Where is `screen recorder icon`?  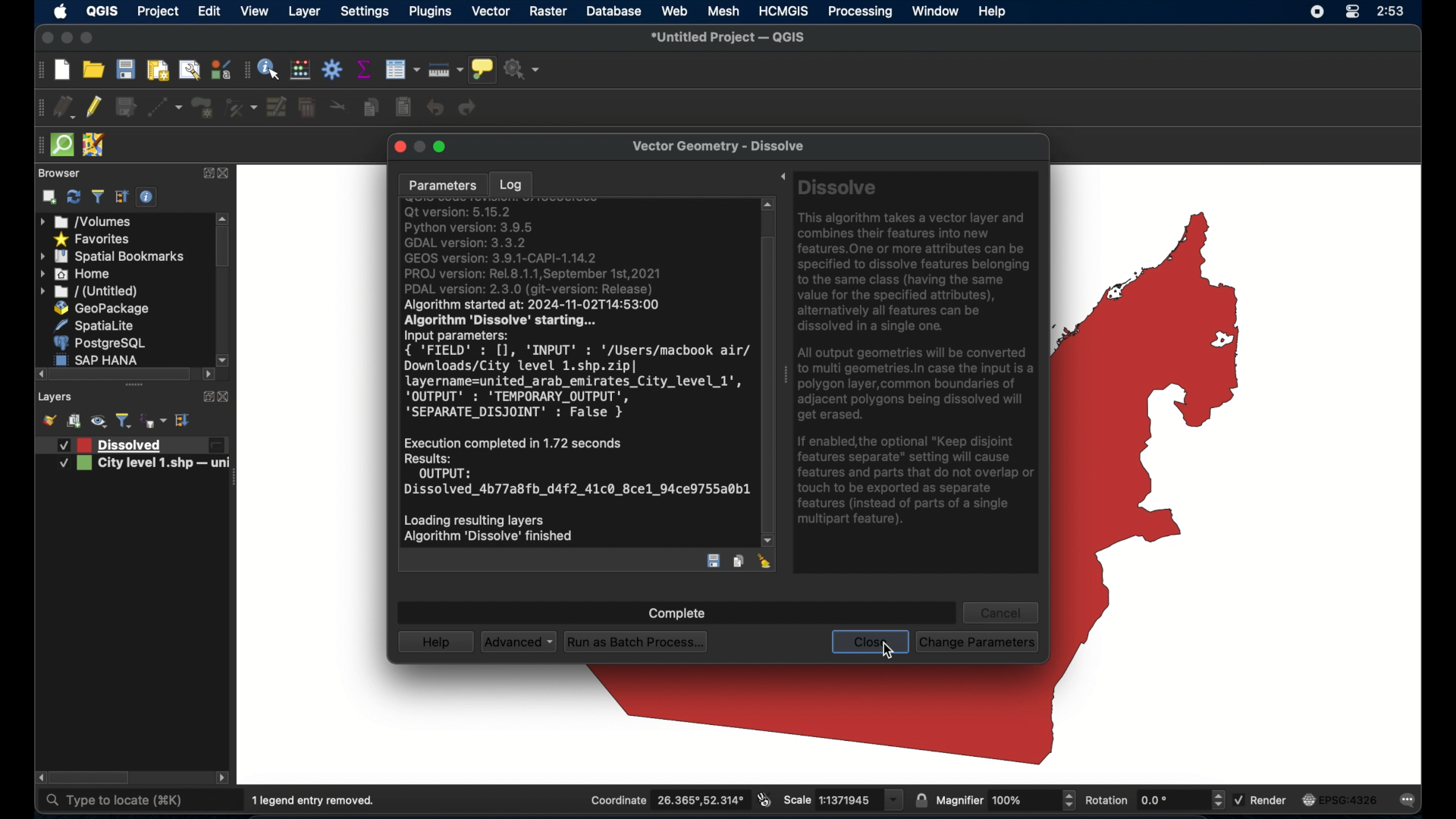 screen recorder icon is located at coordinates (1316, 13).